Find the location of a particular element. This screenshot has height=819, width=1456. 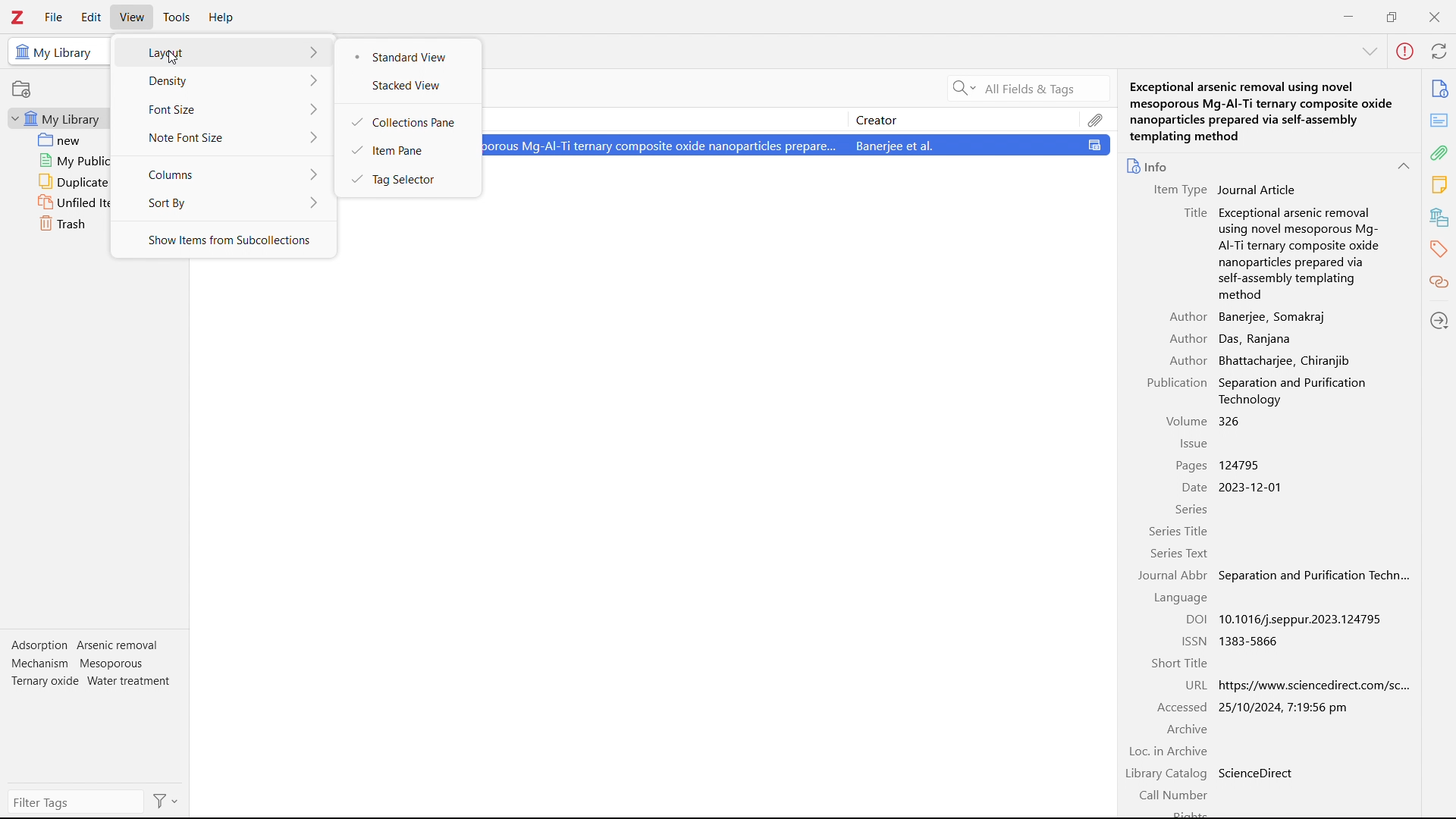

Series is located at coordinates (1191, 509).